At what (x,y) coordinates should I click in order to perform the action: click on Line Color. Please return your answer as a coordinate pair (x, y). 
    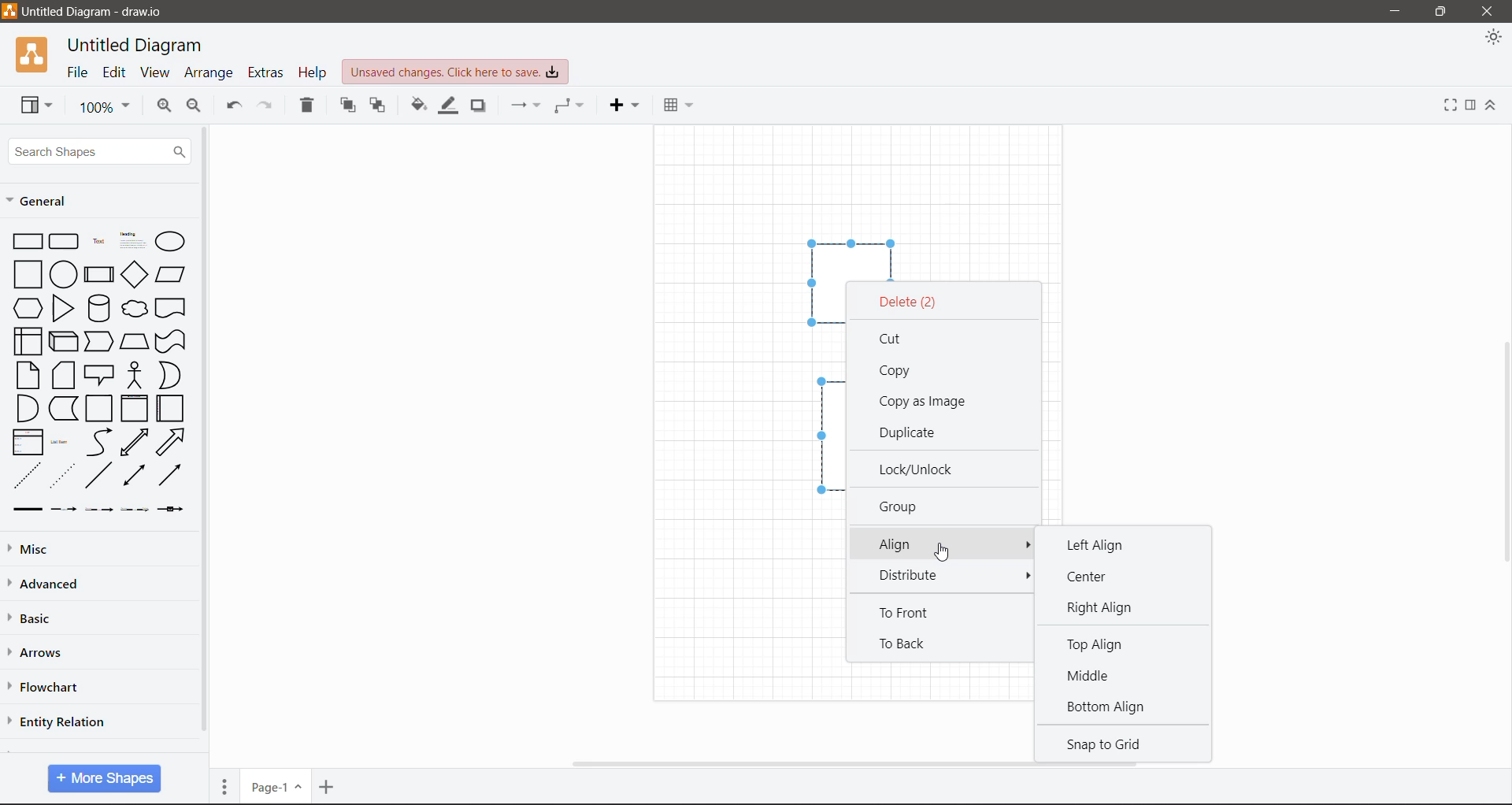
    Looking at the image, I should click on (447, 107).